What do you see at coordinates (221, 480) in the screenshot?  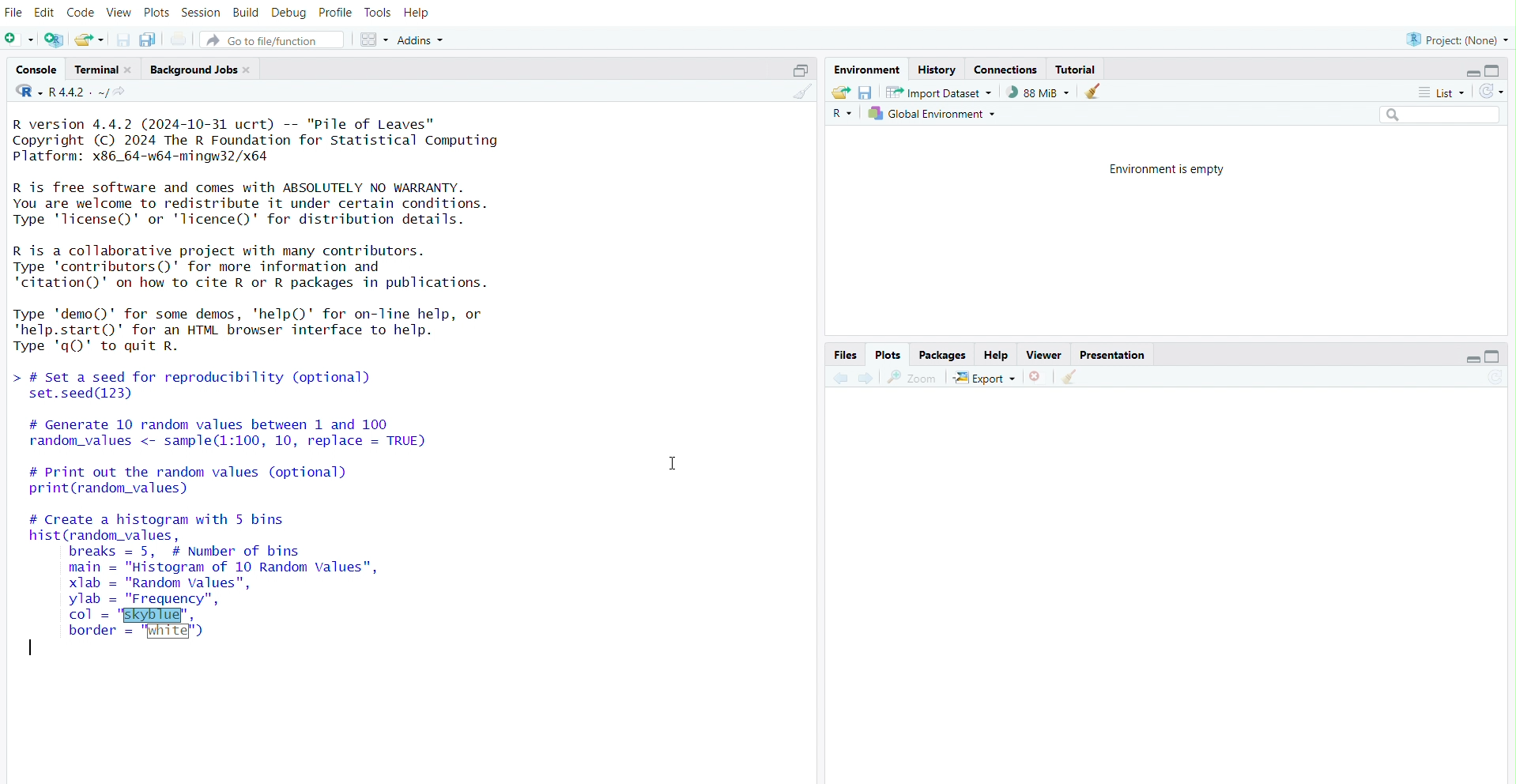 I see `code to print random values` at bounding box center [221, 480].